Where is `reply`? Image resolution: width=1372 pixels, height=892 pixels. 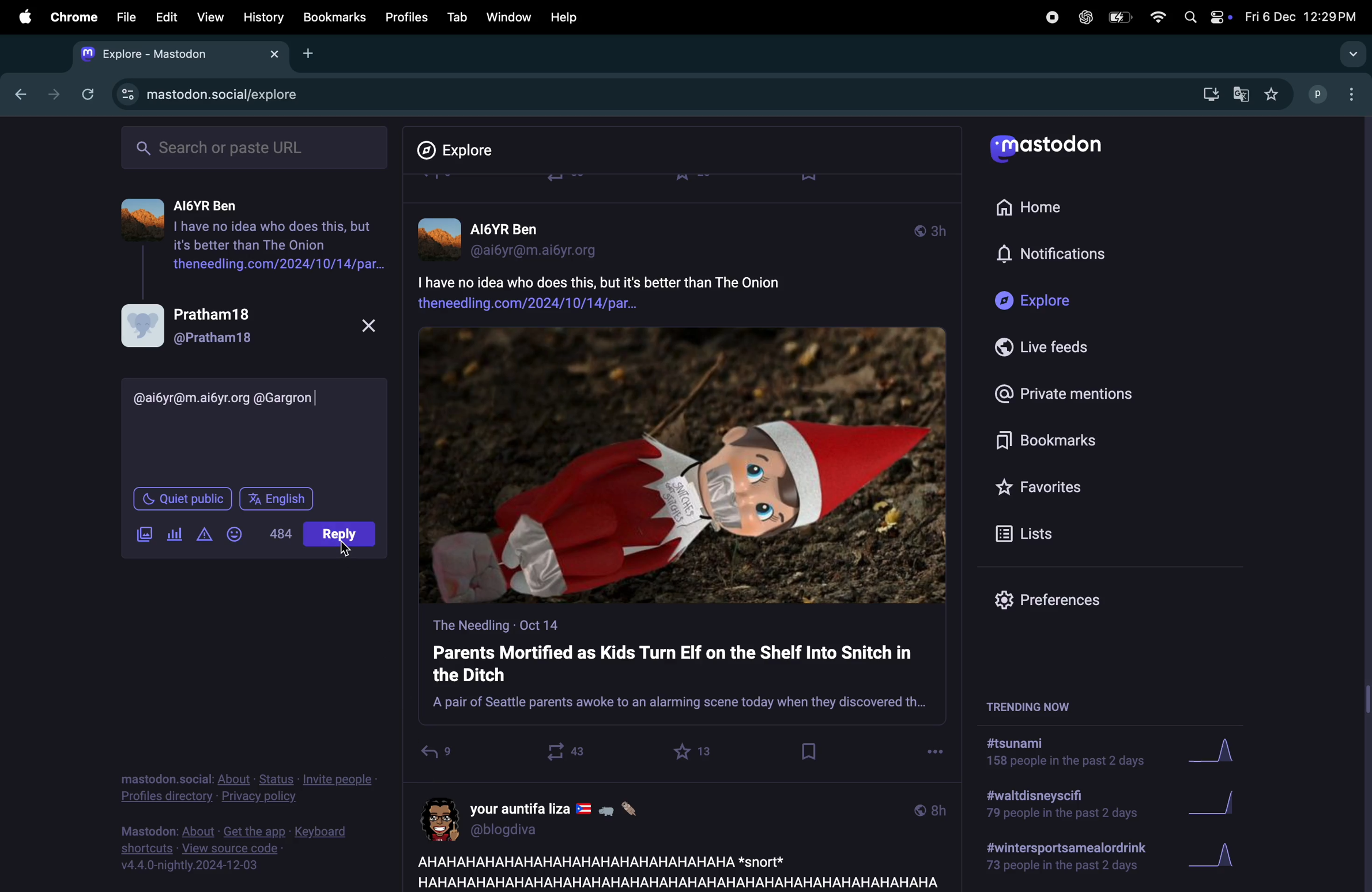 reply is located at coordinates (436, 755).